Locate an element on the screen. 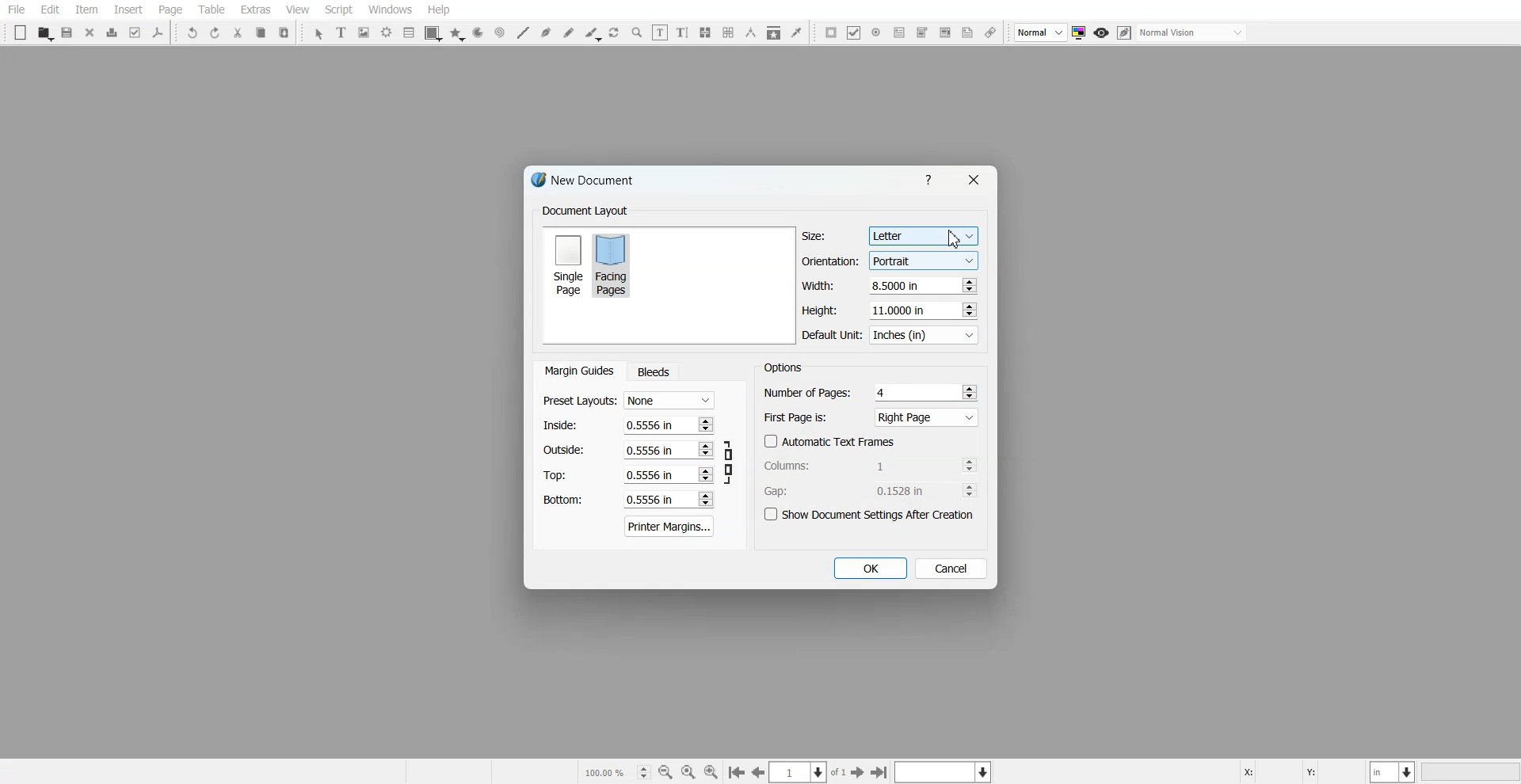  Eye Dropper is located at coordinates (796, 32).